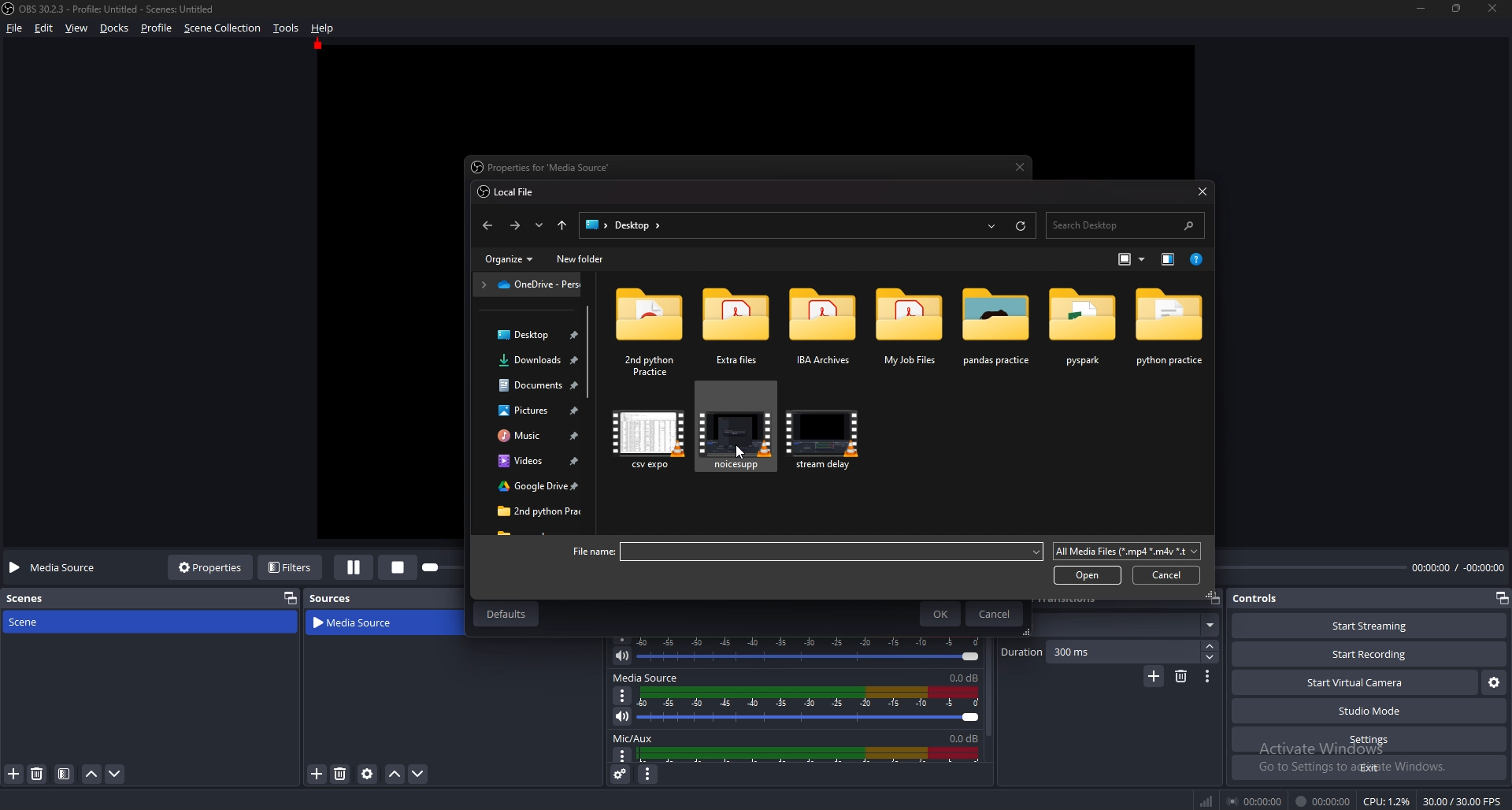 This screenshot has width=1512, height=810. Describe the element at coordinates (740, 451) in the screenshot. I see `cursor` at that location.